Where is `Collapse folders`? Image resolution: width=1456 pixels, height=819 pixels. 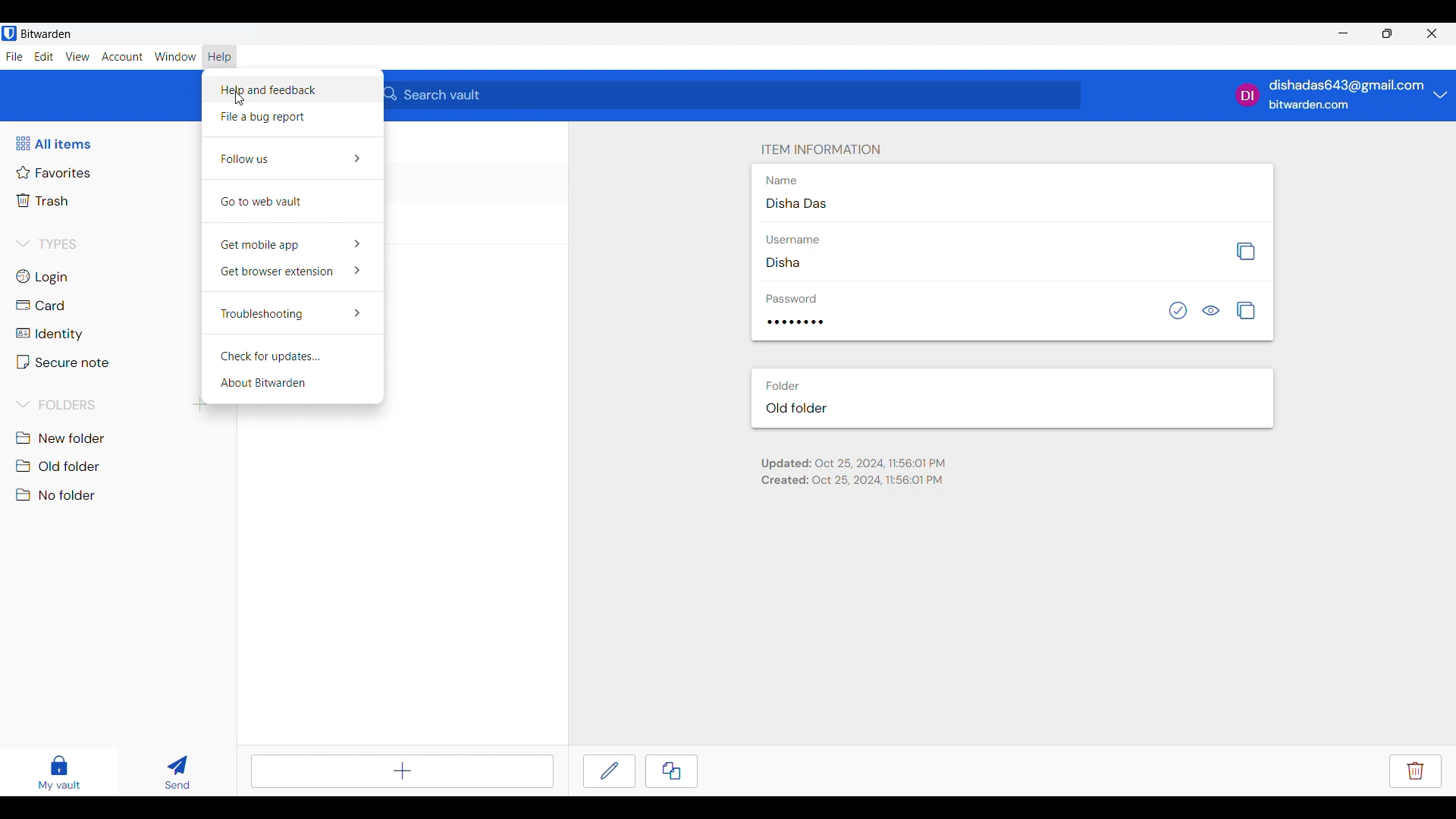 Collapse folders is located at coordinates (58, 404).